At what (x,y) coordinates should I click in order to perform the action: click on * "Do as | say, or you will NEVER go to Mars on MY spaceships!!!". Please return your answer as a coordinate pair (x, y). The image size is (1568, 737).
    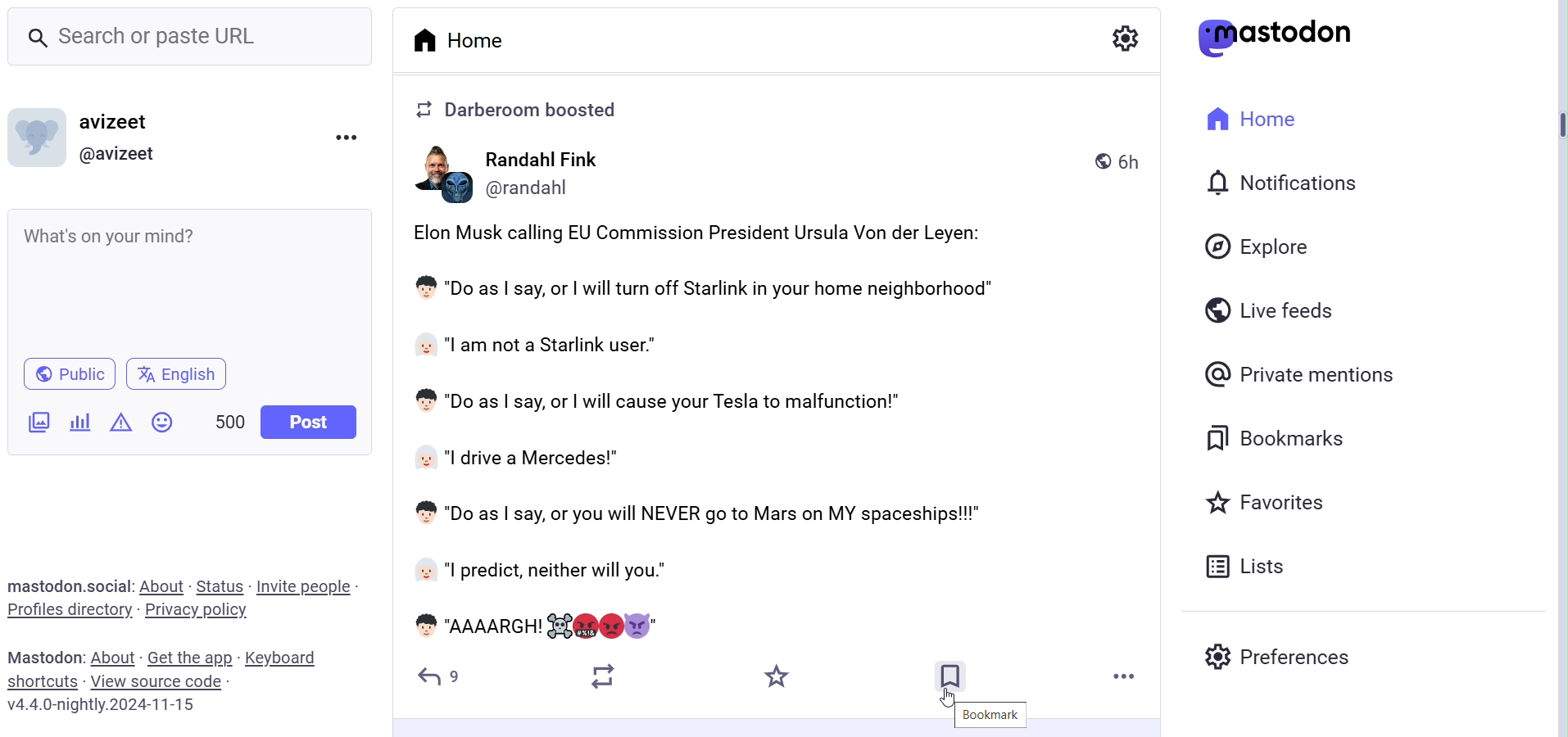
    Looking at the image, I should click on (715, 516).